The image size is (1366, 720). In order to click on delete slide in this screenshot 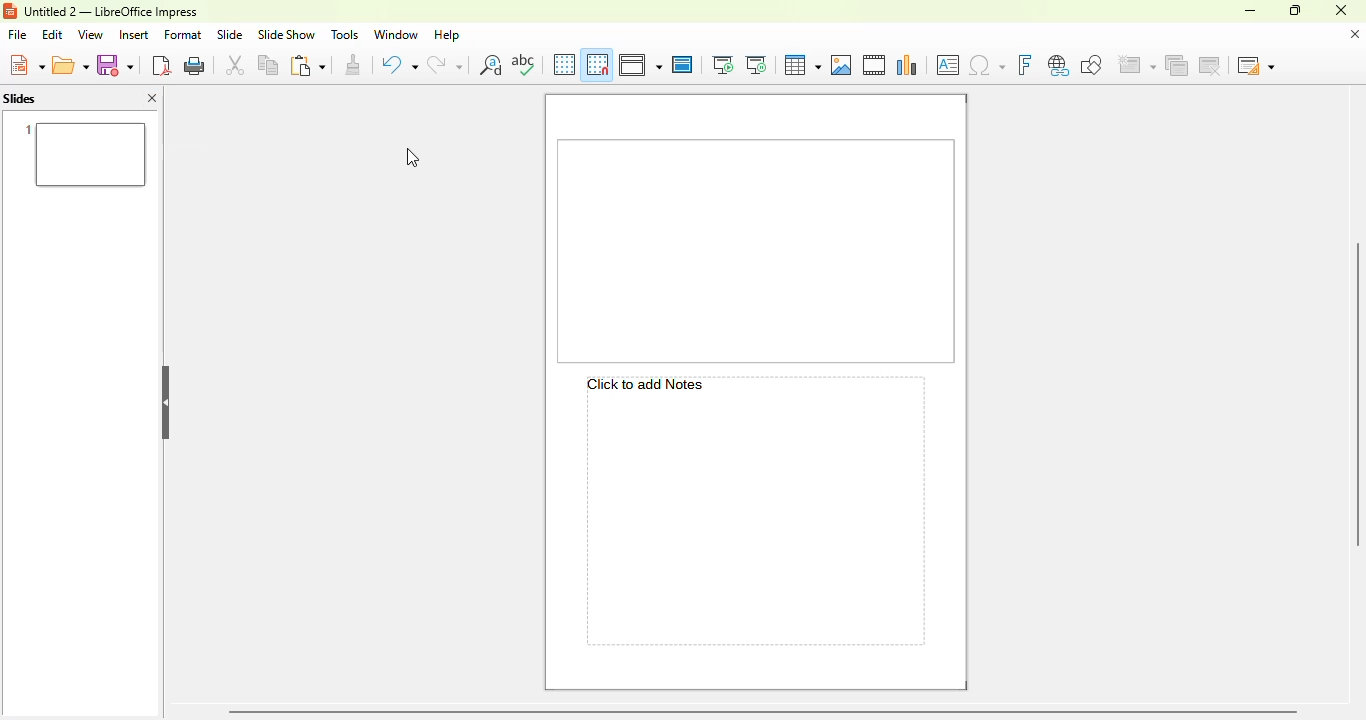, I will do `click(1209, 64)`.